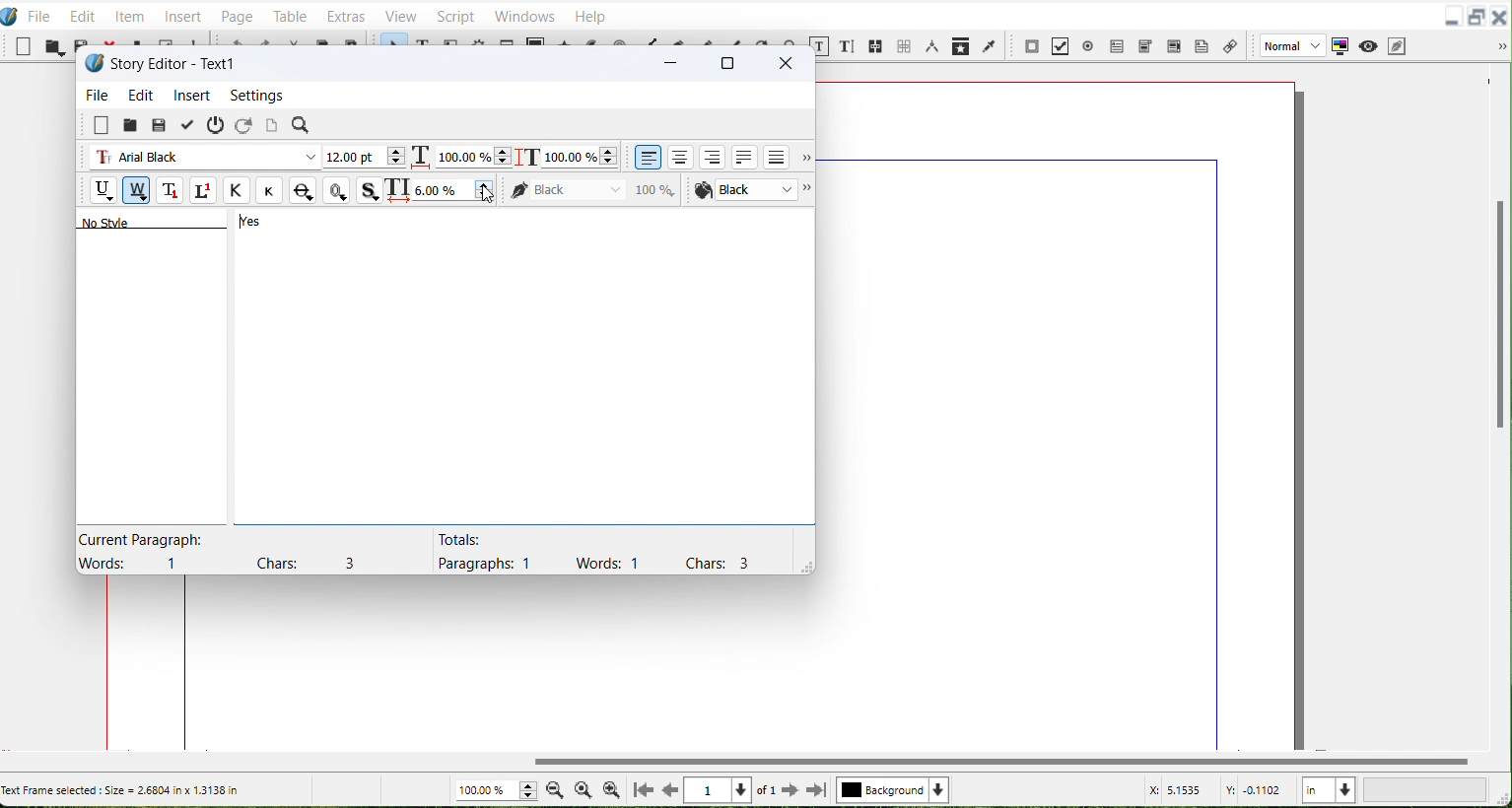  What do you see at coordinates (1230, 43) in the screenshot?
I see `Link Annotation` at bounding box center [1230, 43].